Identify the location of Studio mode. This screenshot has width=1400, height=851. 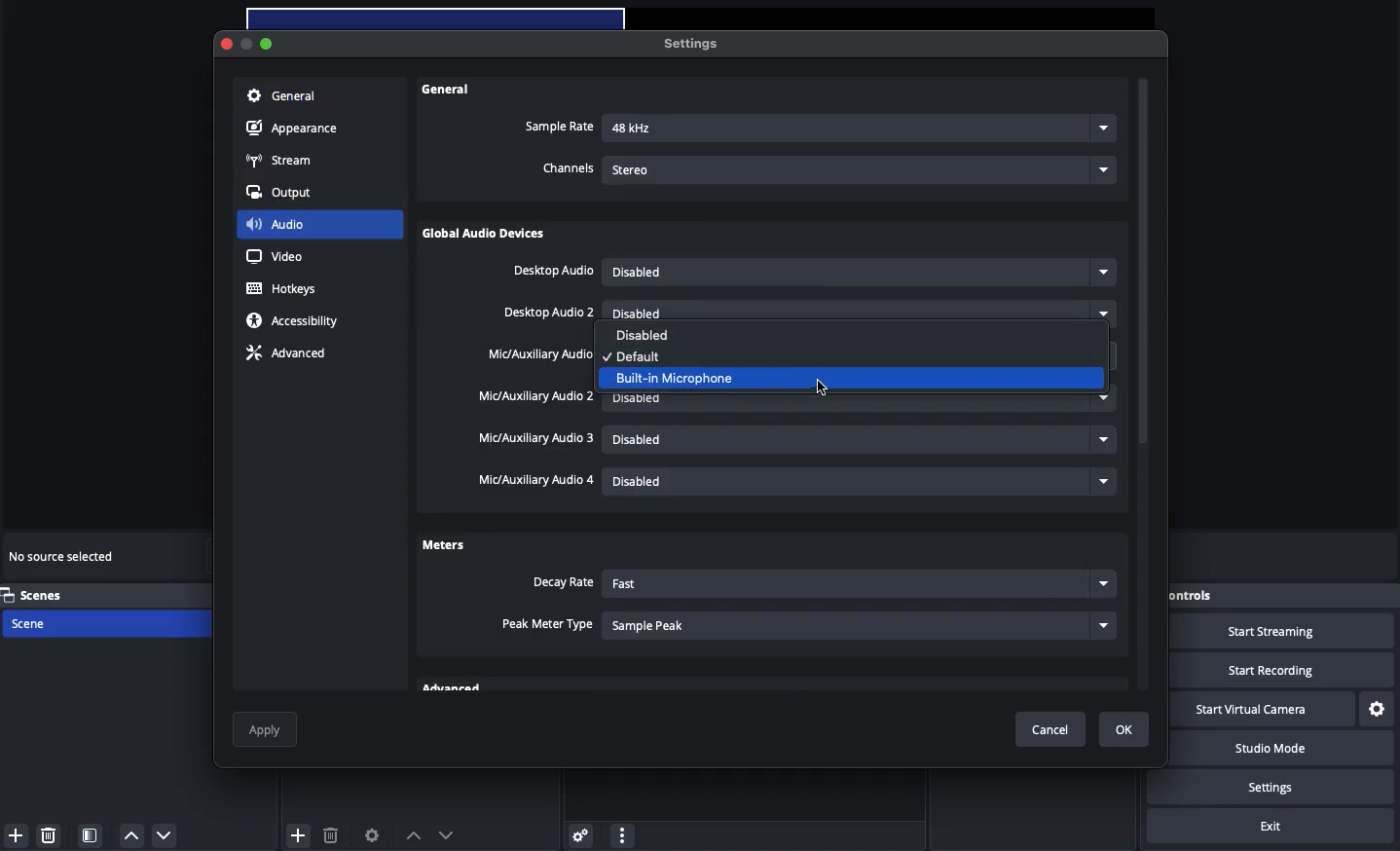
(1283, 751).